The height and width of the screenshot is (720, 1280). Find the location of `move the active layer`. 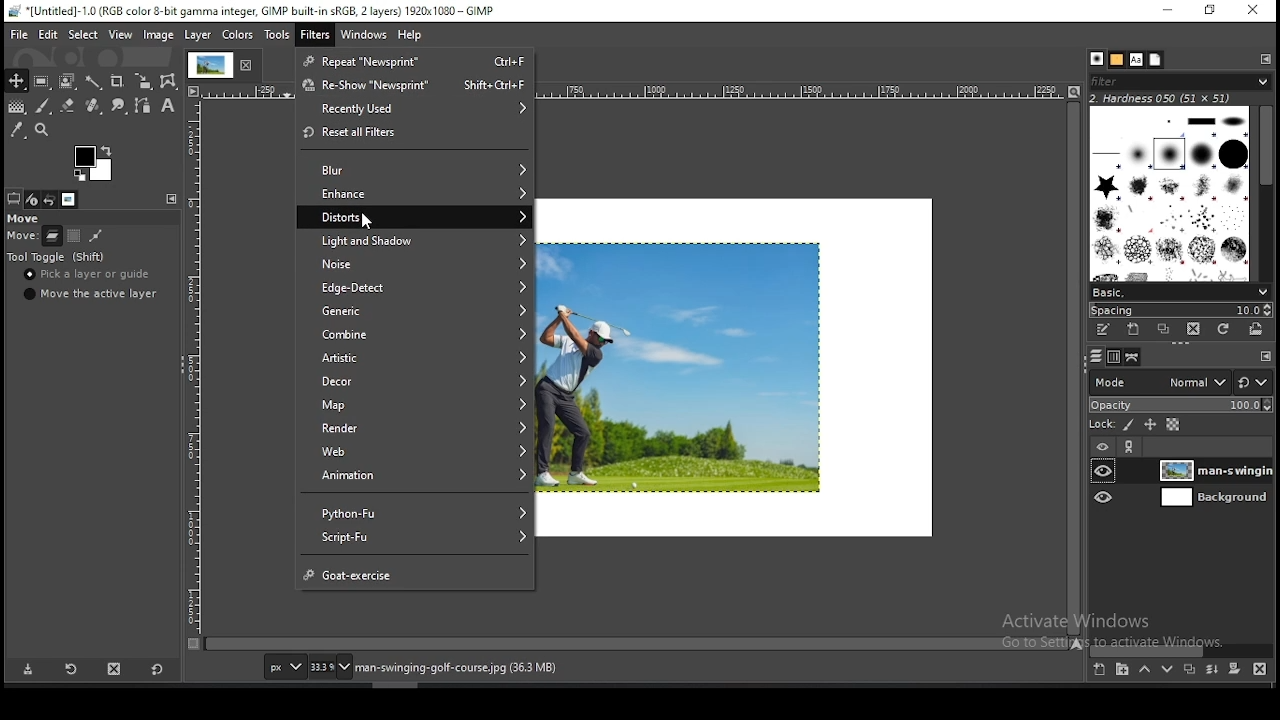

move the active layer is located at coordinates (92, 294).